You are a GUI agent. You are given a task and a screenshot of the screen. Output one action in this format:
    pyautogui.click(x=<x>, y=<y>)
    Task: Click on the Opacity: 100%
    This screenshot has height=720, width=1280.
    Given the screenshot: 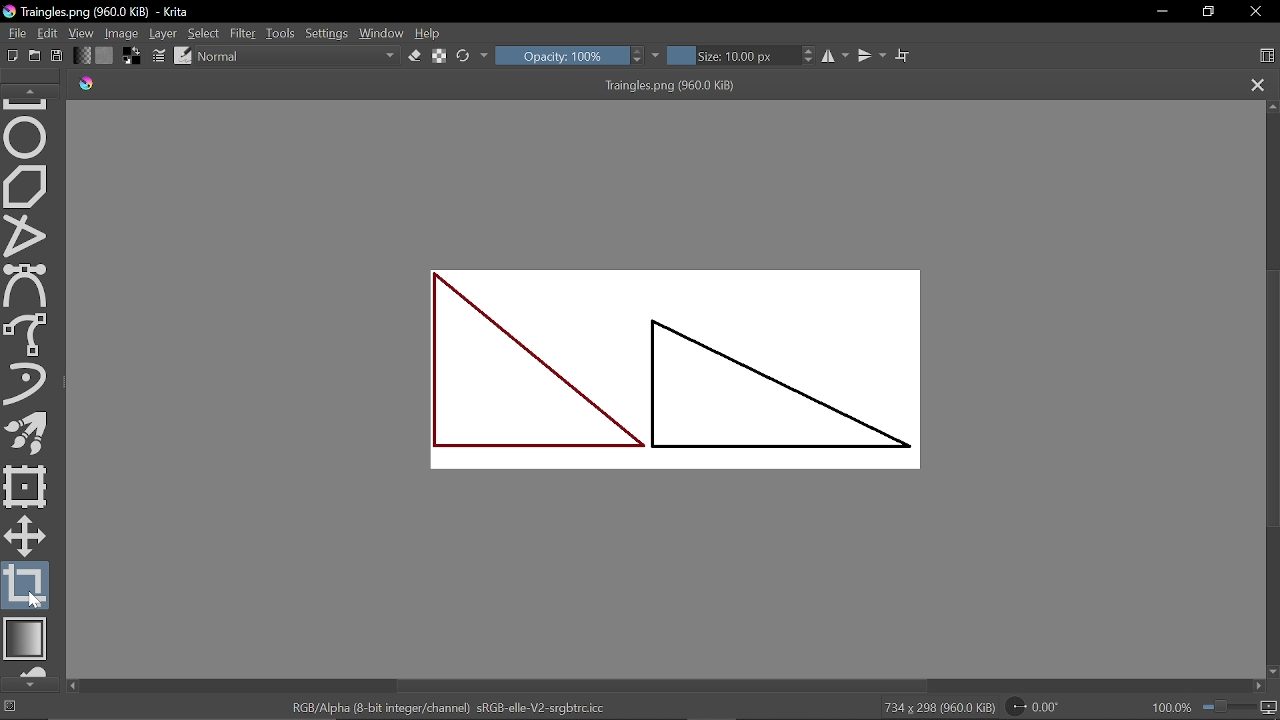 What is the action you would take?
    pyautogui.click(x=561, y=55)
    